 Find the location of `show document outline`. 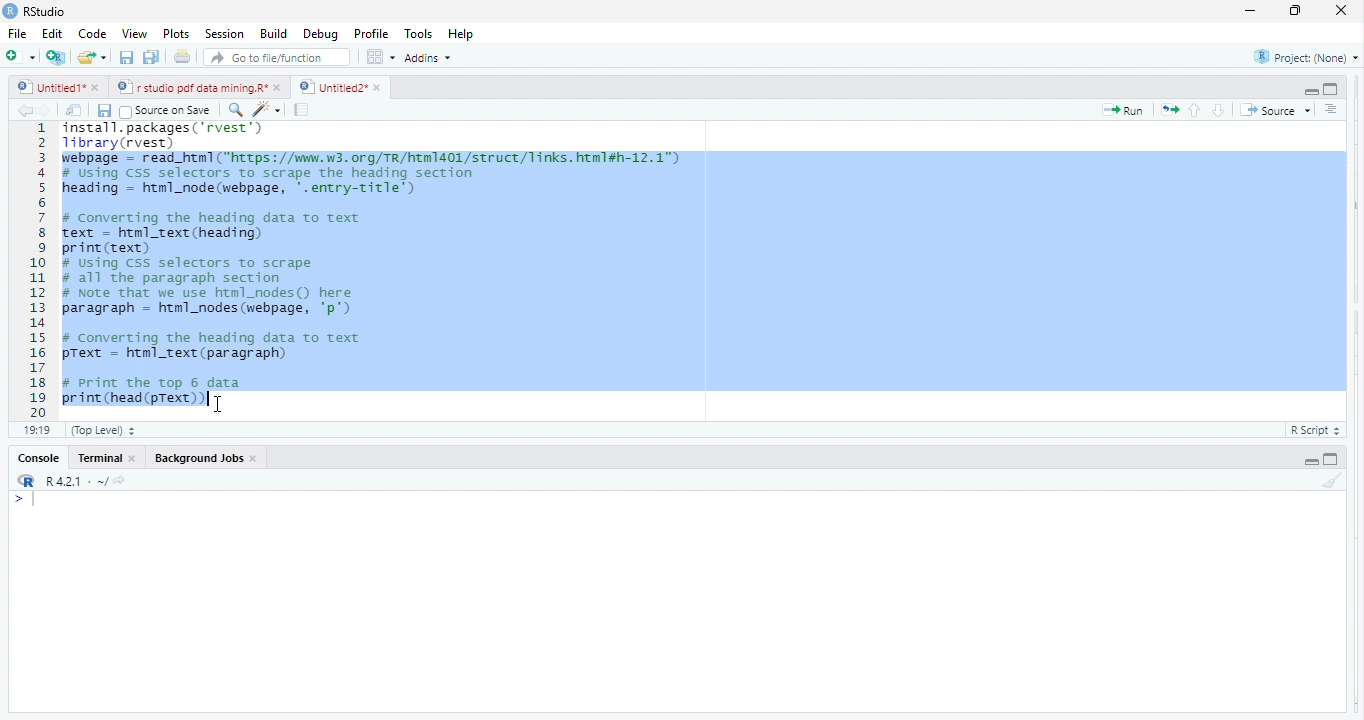

show document outline is located at coordinates (1332, 109).